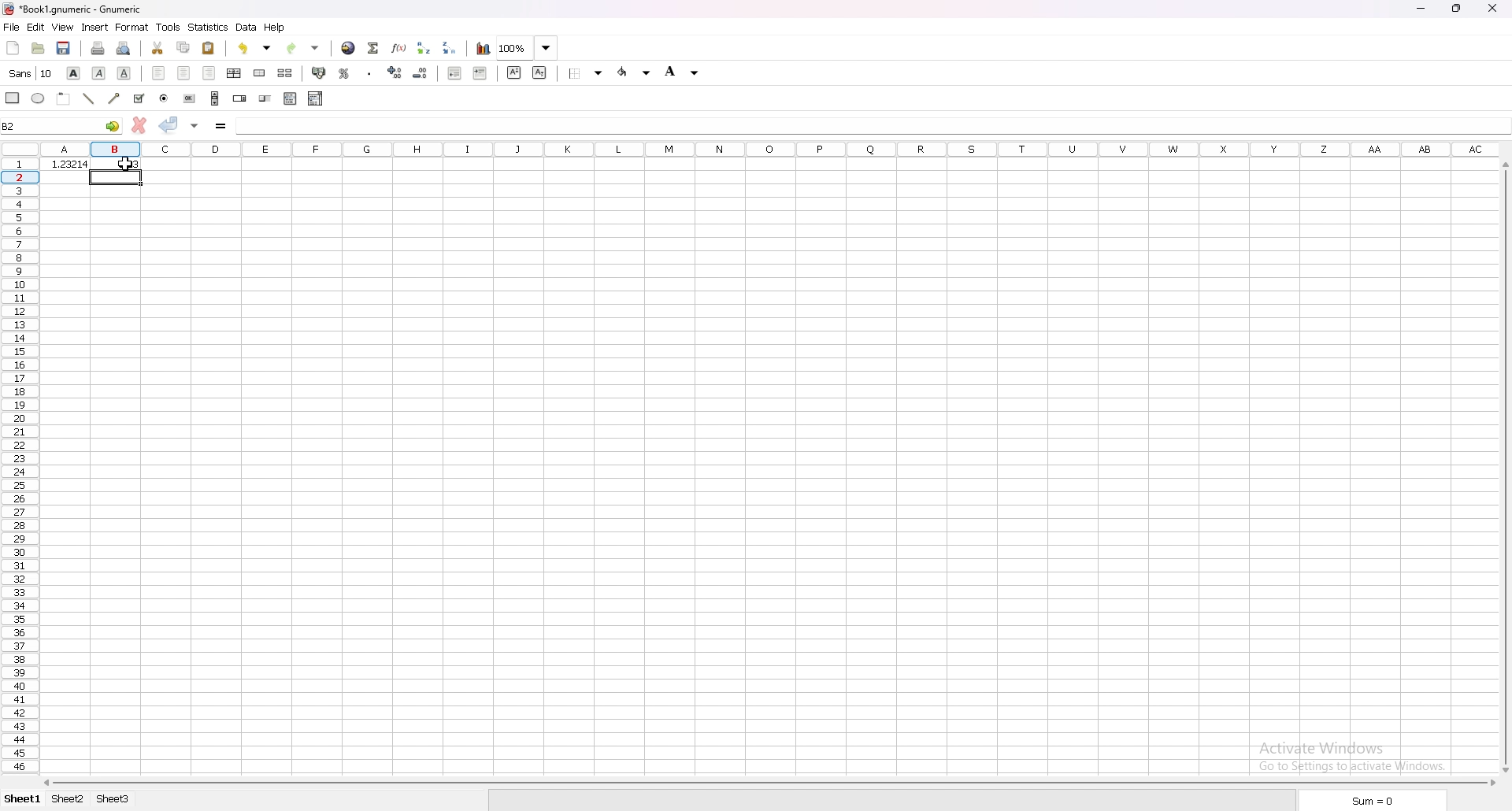 The image size is (1512, 811). Describe the element at coordinates (254, 49) in the screenshot. I see `undo` at that location.